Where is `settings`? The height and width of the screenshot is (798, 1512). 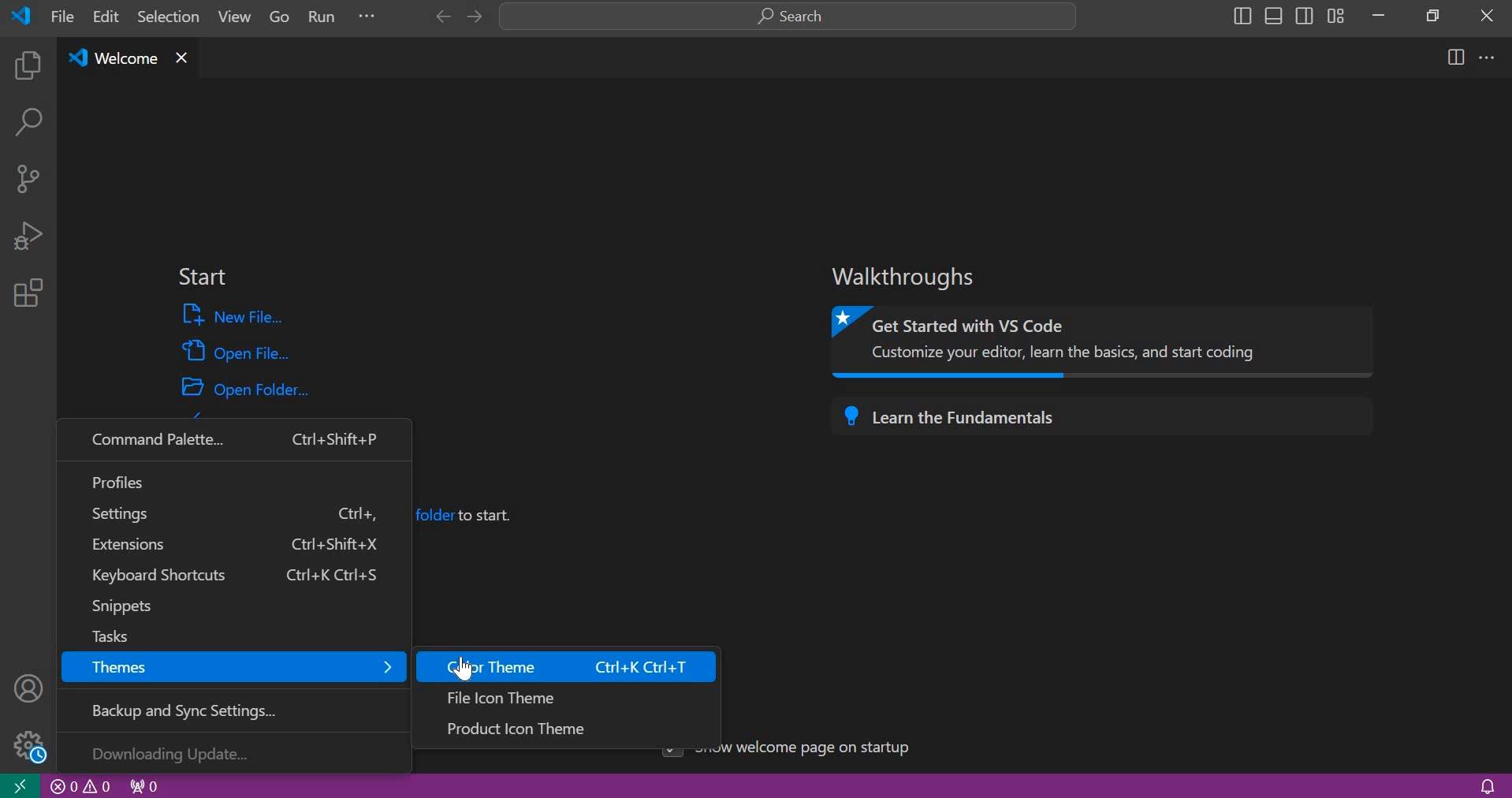 settings is located at coordinates (235, 513).